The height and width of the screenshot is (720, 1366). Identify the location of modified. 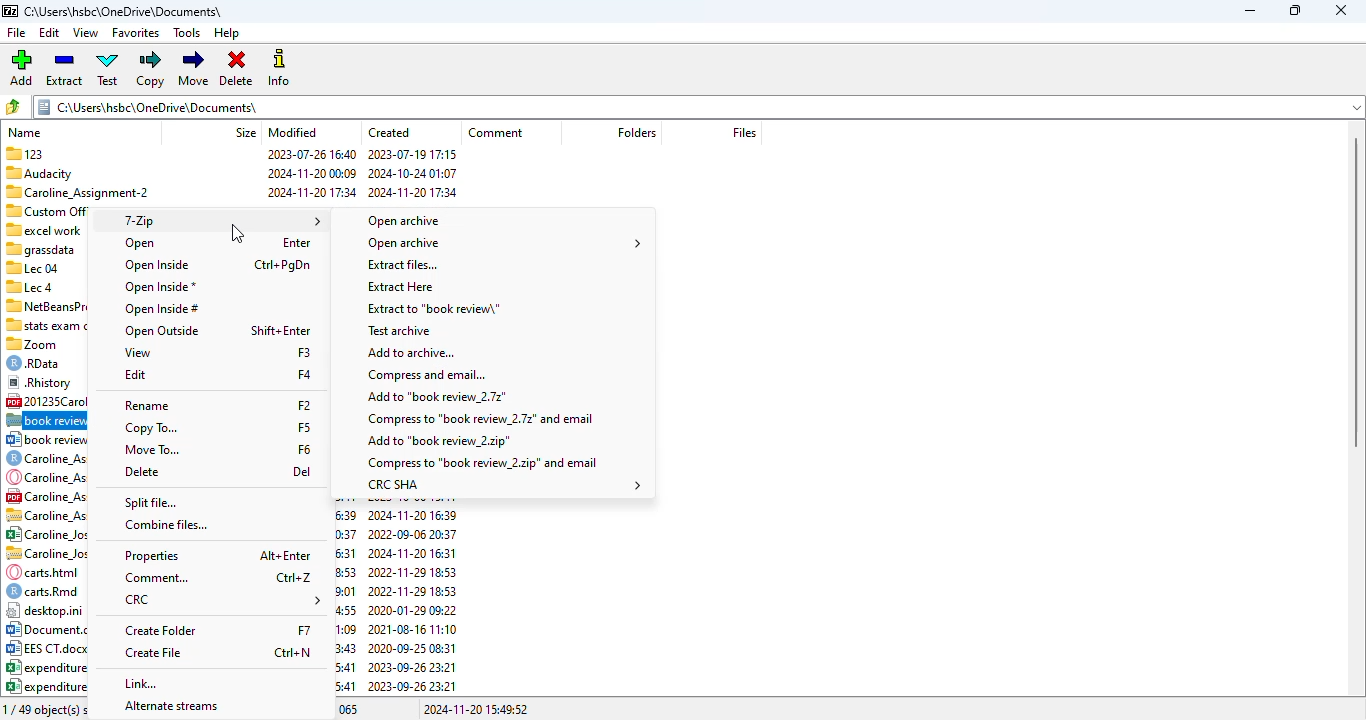
(292, 132).